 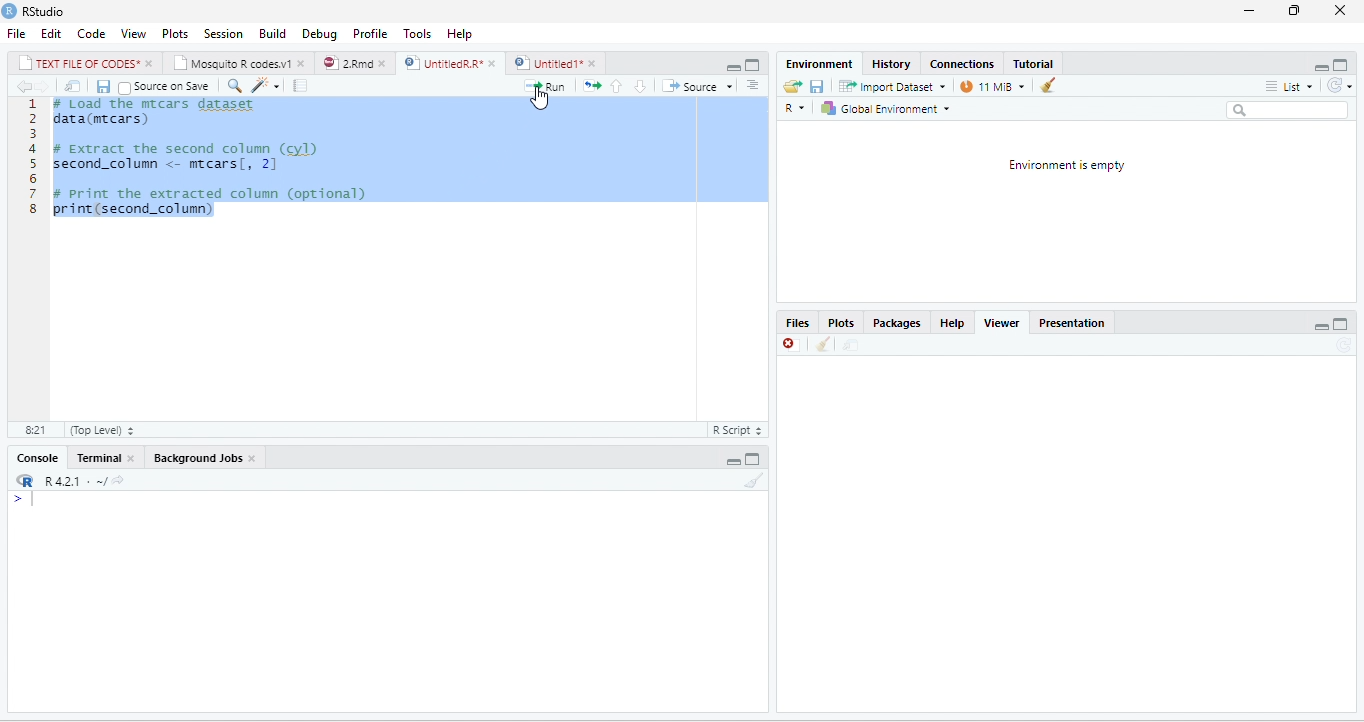 I want to click on show document outline, so click(x=752, y=85).